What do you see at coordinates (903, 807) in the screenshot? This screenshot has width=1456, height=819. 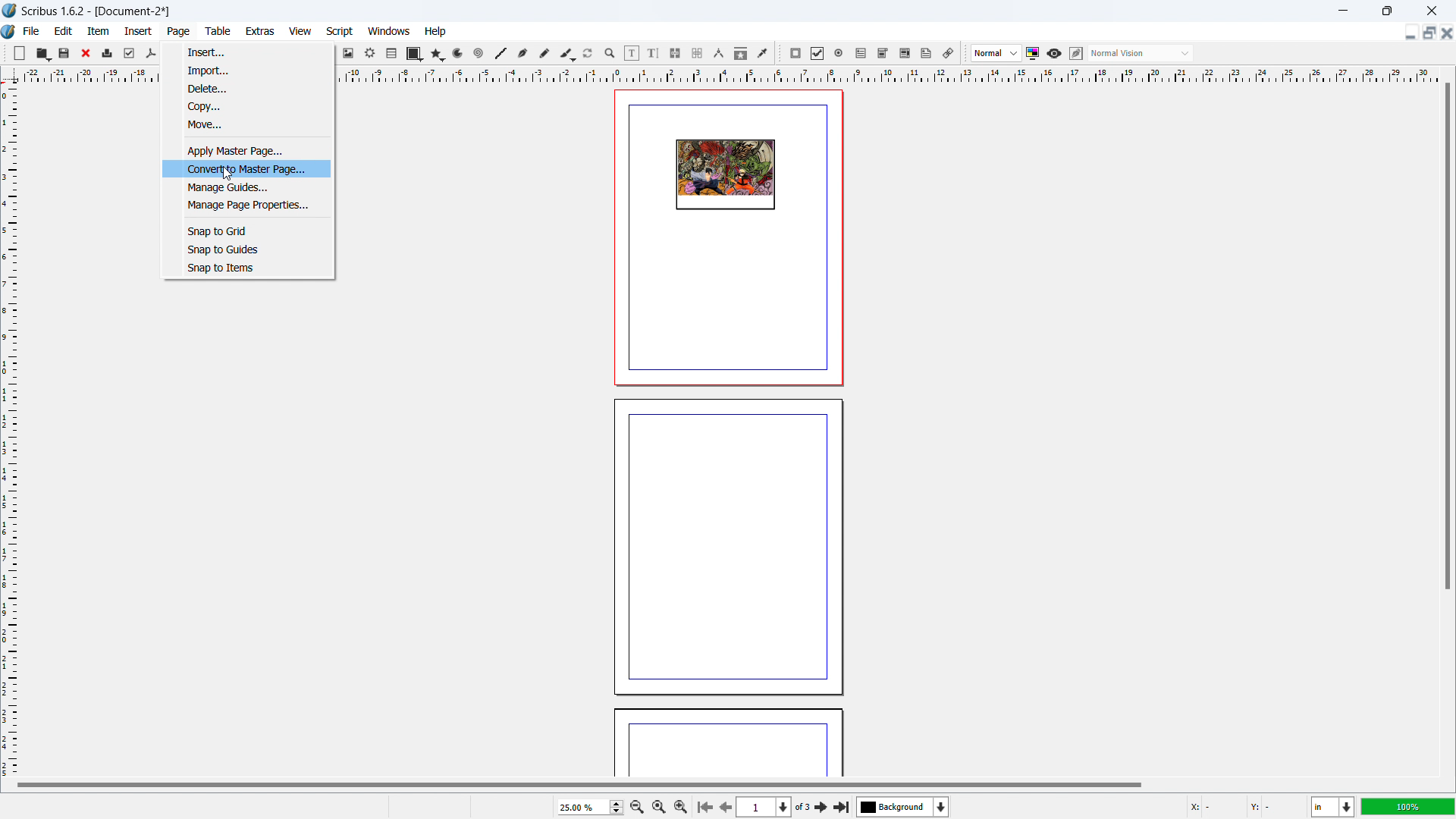 I see `select the current layer` at bounding box center [903, 807].